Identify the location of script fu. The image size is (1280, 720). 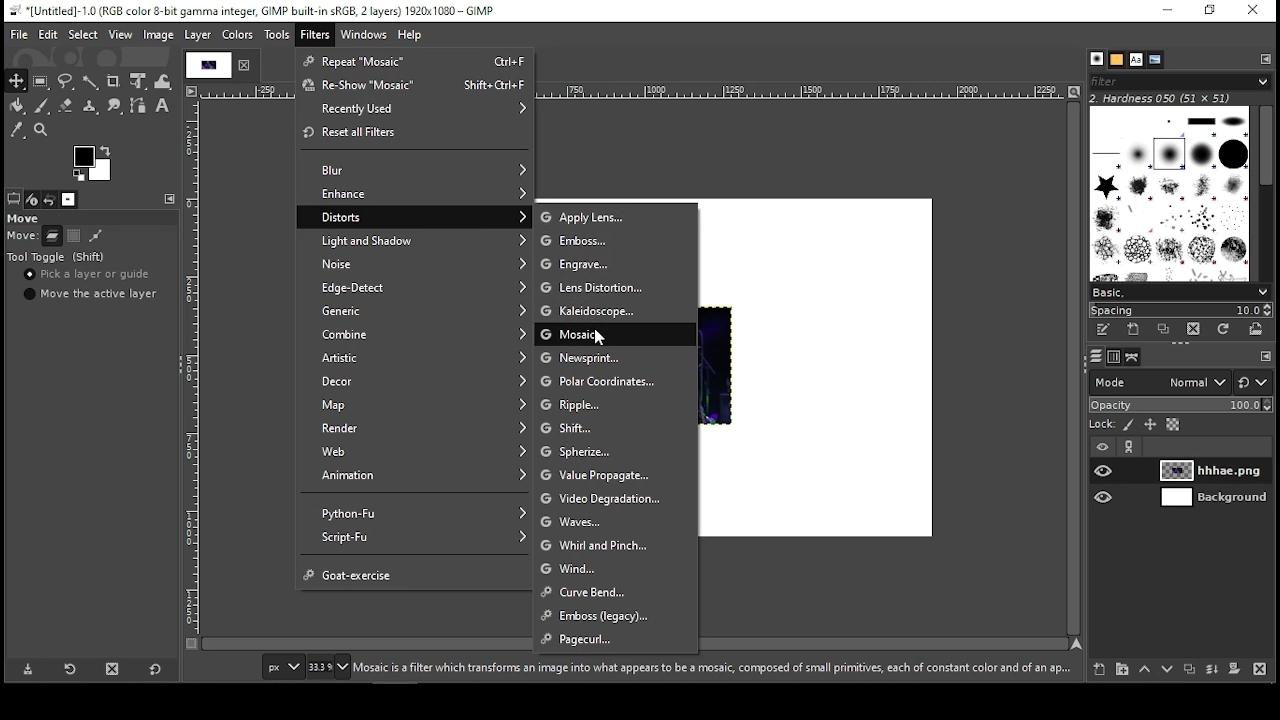
(417, 540).